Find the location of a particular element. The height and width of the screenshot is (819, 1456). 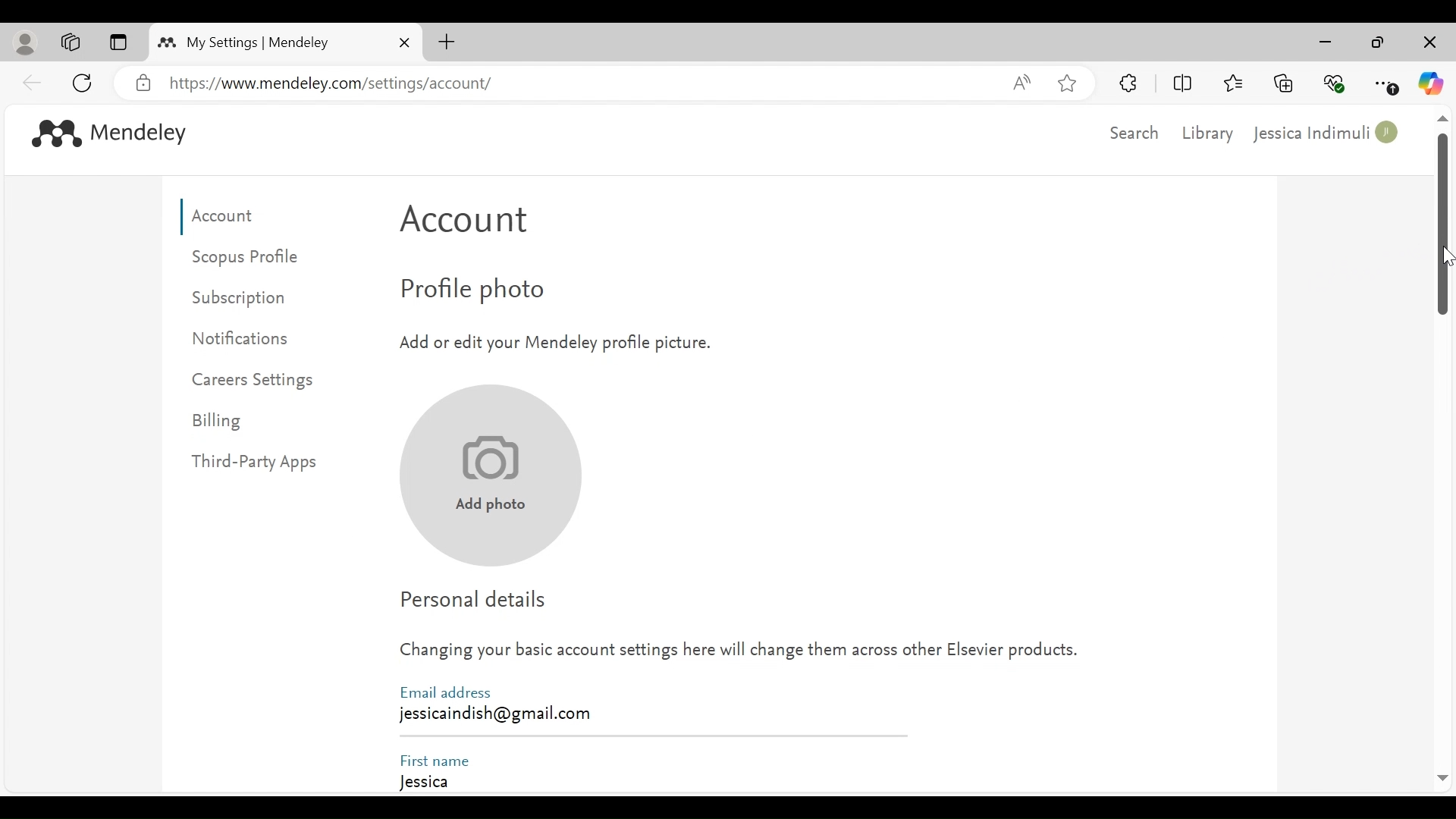

Extensions is located at coordinates (1129, 83).